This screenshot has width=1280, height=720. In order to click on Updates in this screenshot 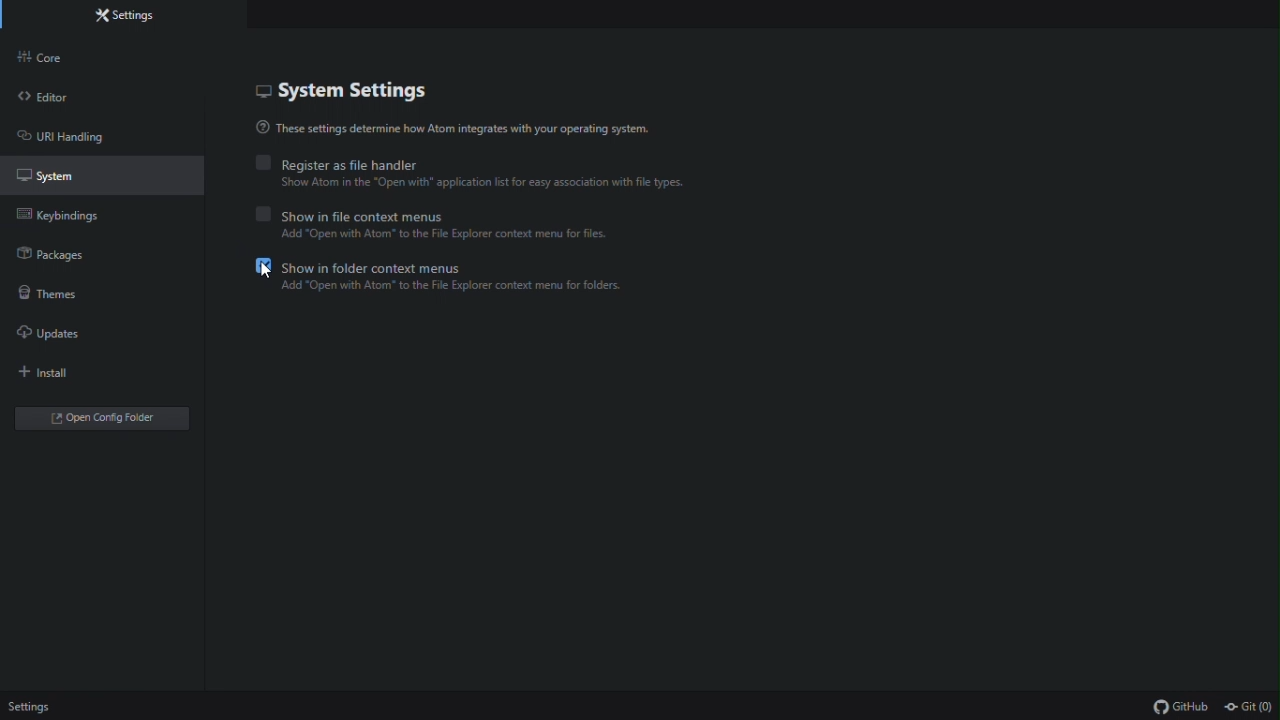, I will do `click(108, 330)`.